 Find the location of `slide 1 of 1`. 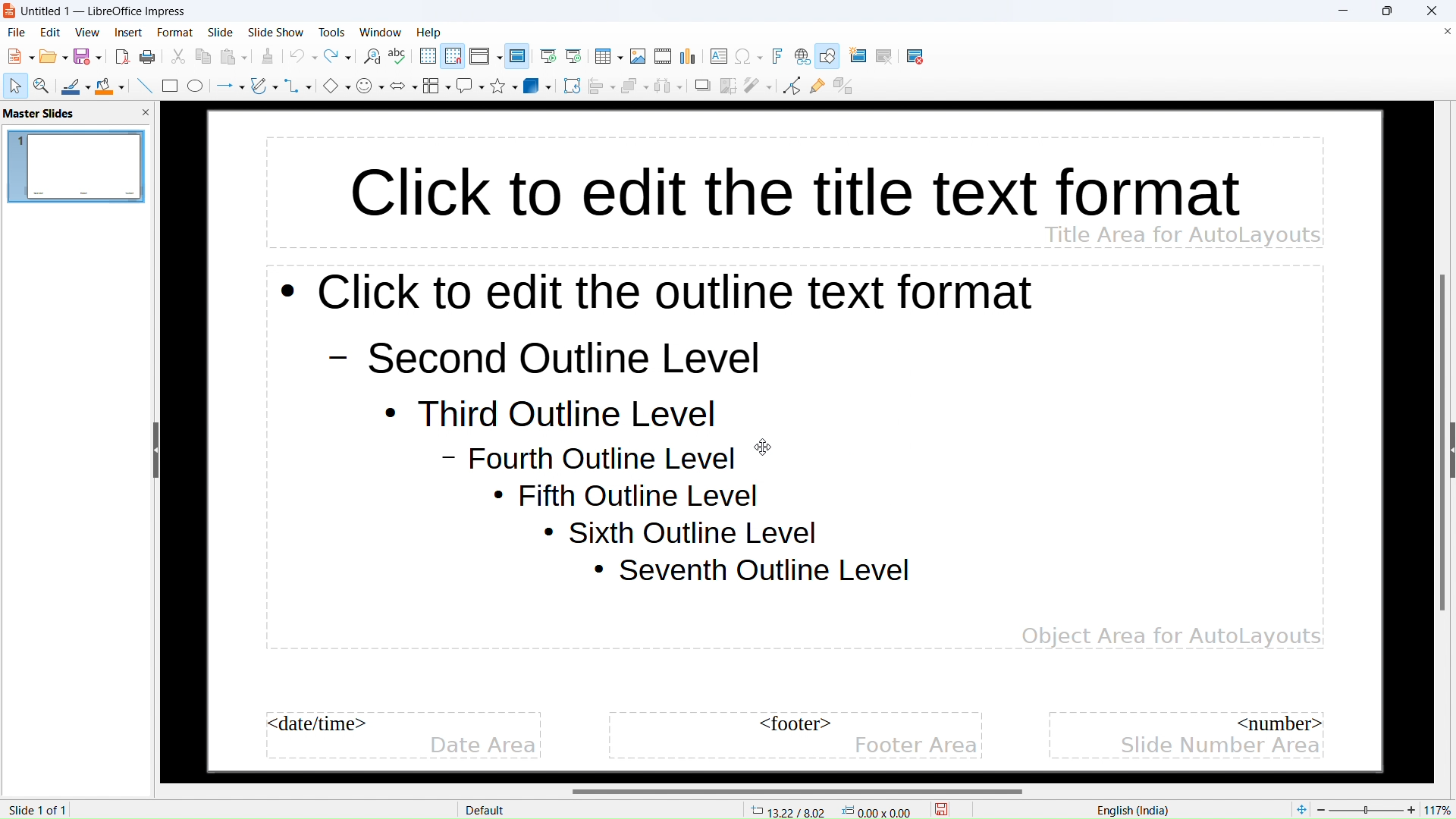

slide 1 of 1 is located at coordinates (37, 810).